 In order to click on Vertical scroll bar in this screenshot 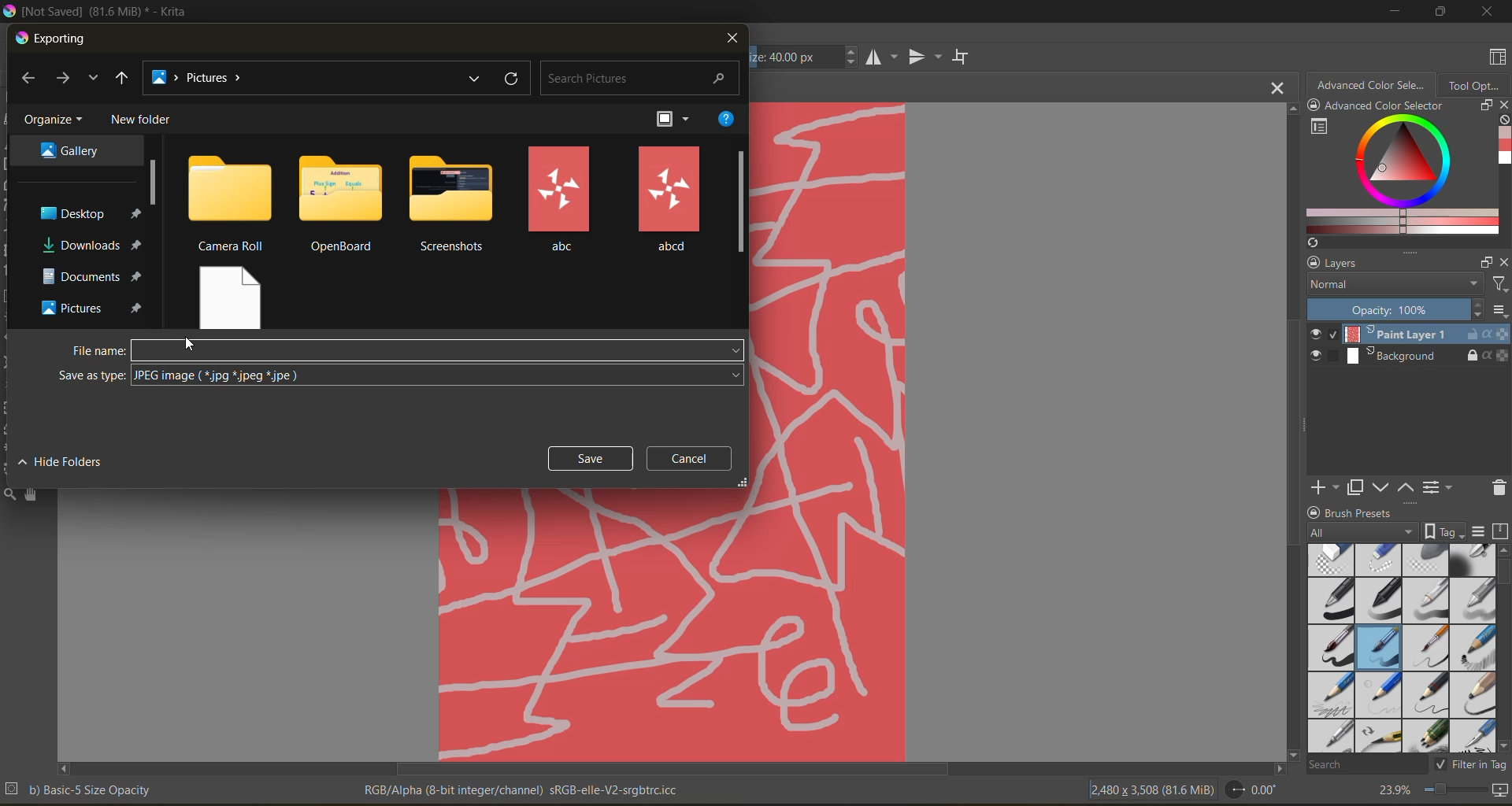, I will do `click(1290, 430)`.